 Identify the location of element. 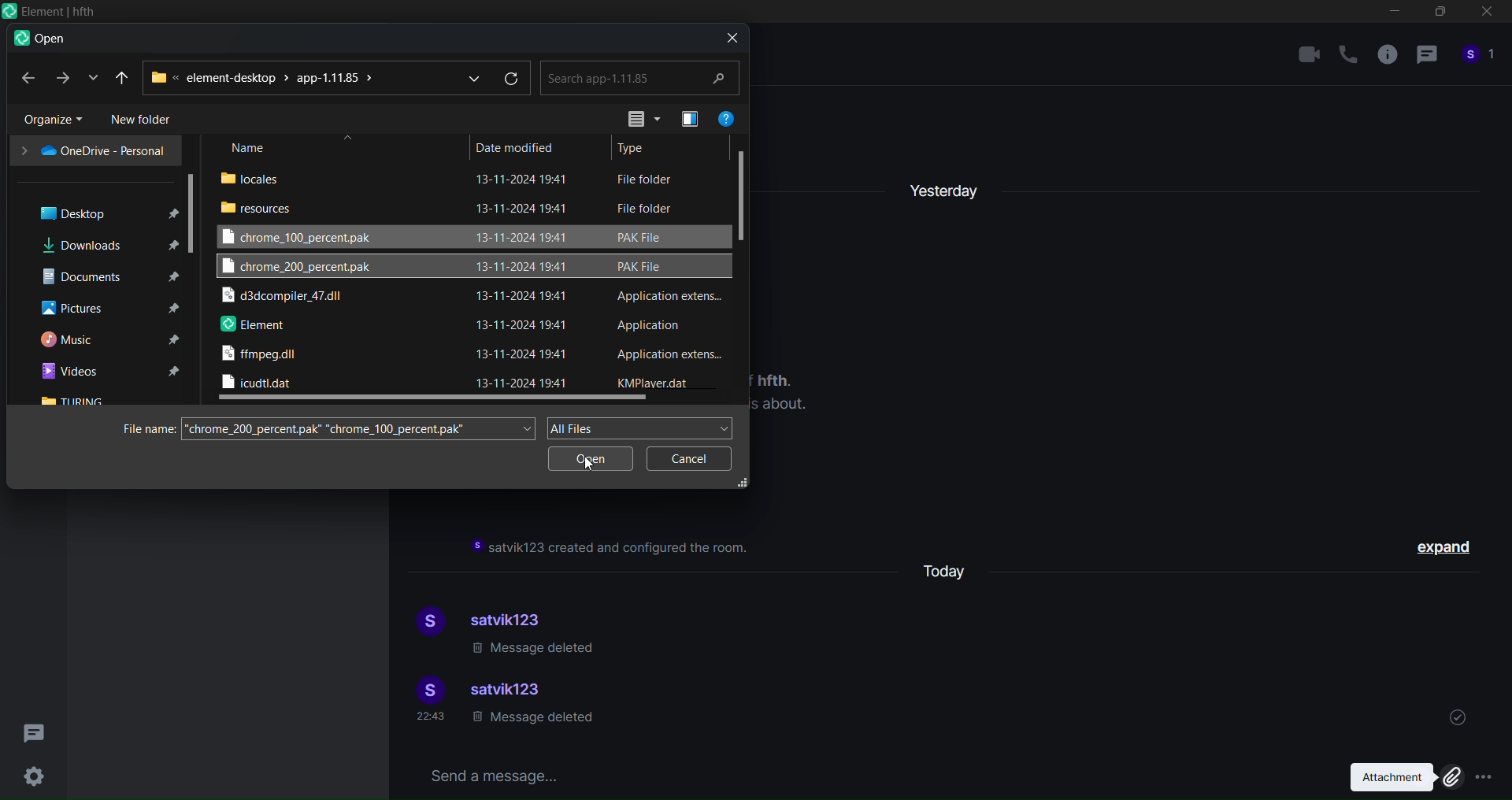
(254, 326).